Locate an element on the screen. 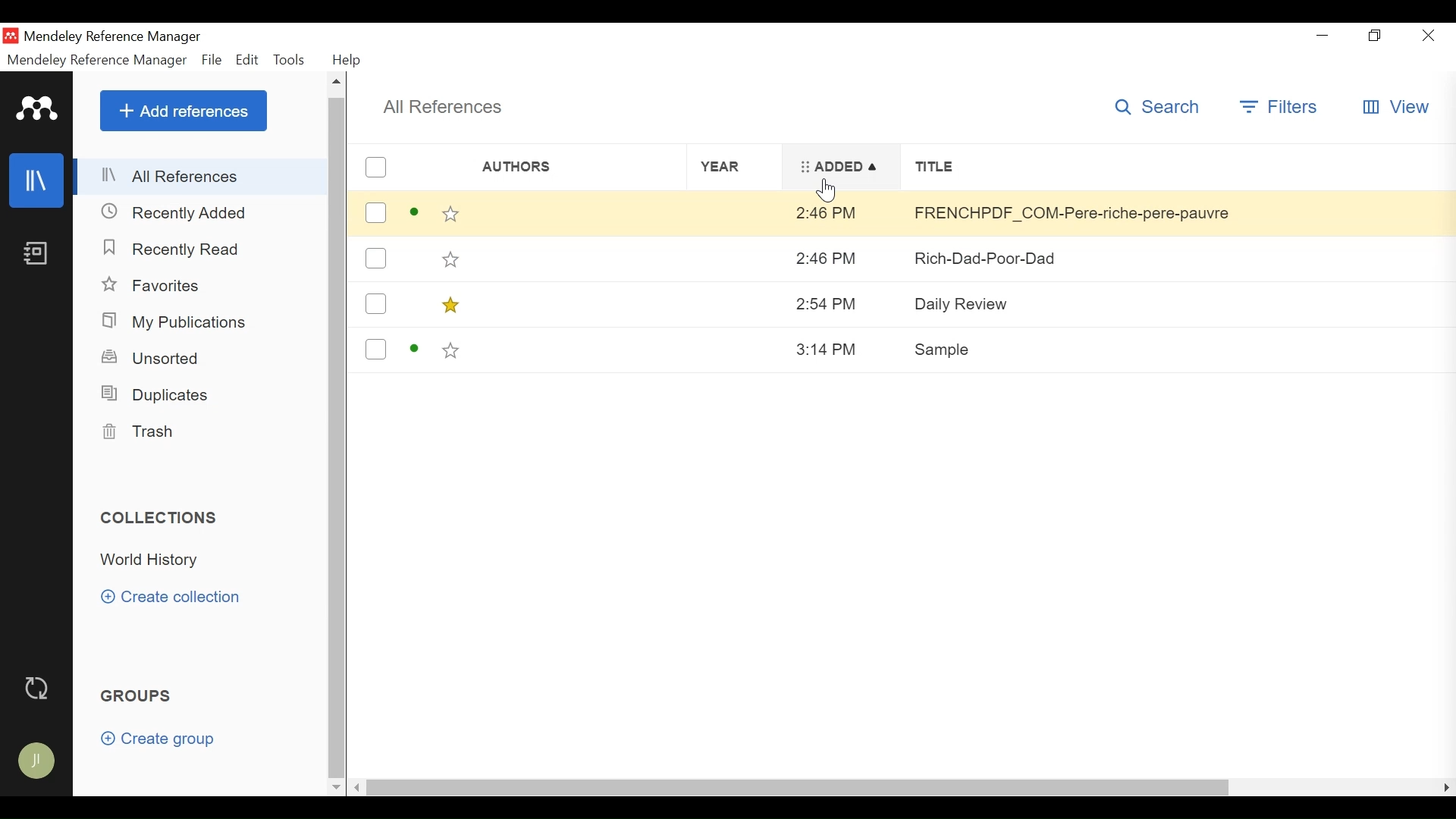 This screenshot has width=1456, height=819. Trash is located at coordinates (144, 431).